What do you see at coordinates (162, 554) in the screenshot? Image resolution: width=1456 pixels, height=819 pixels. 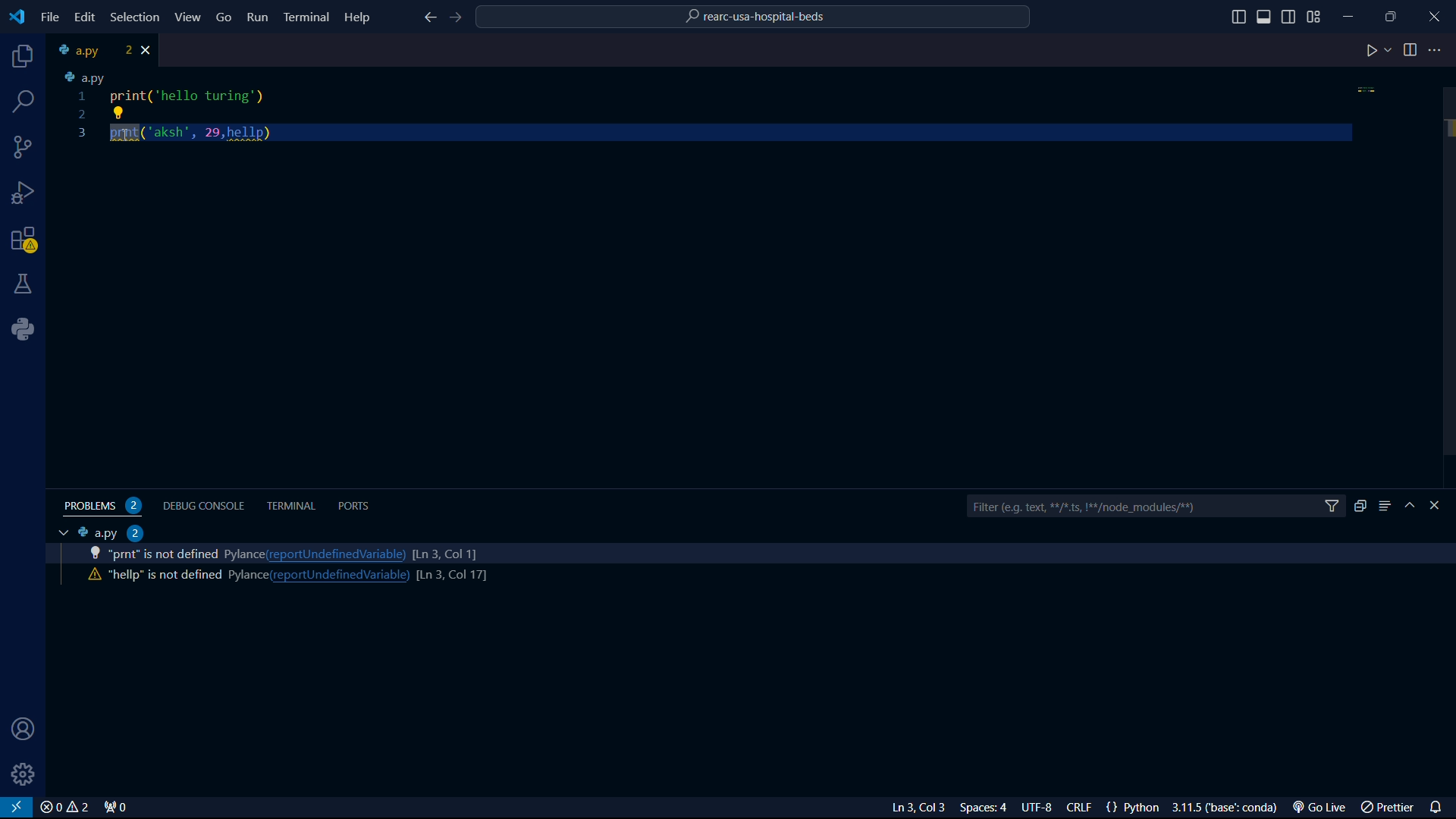 I see `activity code` at bounding box center [162, 554].